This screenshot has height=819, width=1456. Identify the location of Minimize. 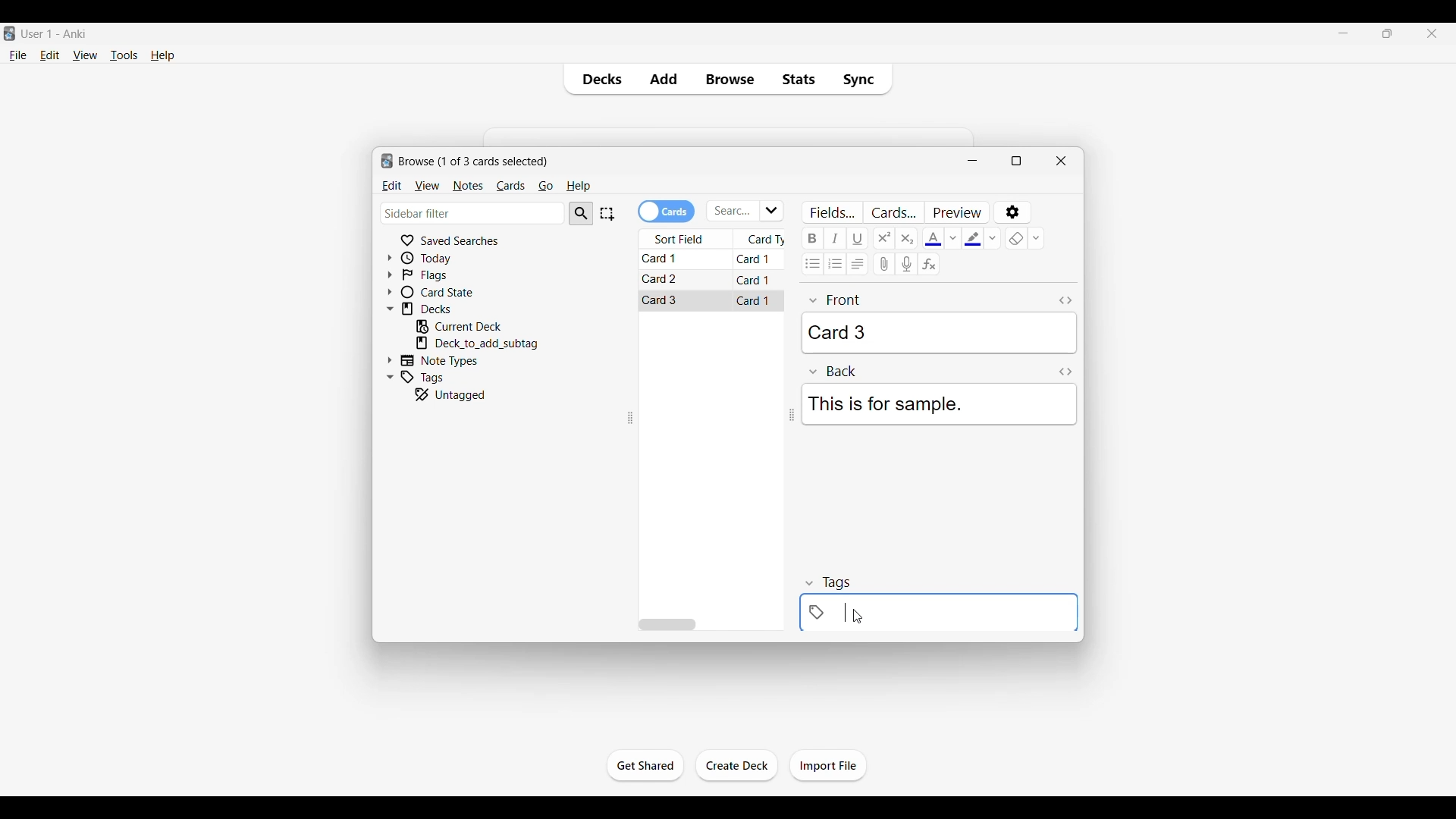
(1343, 33).